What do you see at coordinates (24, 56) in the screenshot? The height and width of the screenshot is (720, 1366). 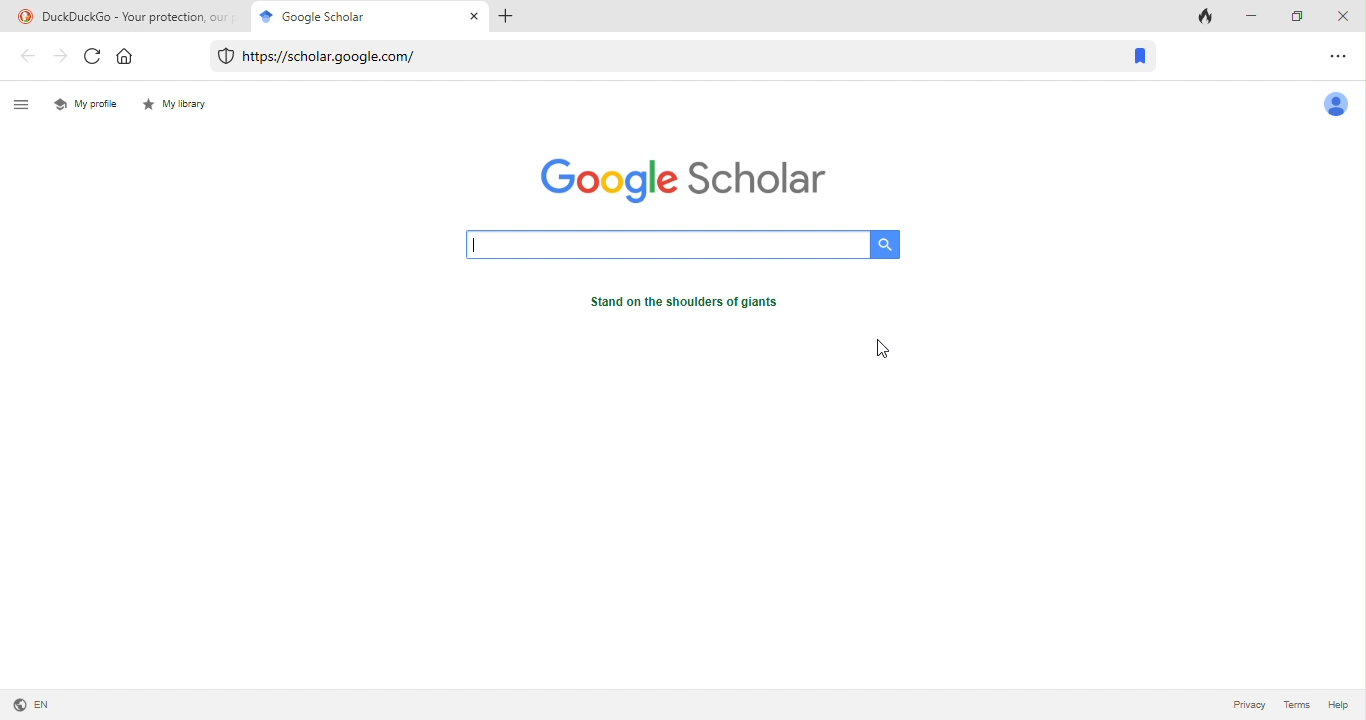 I see `back` at bounding box center [24, 56].